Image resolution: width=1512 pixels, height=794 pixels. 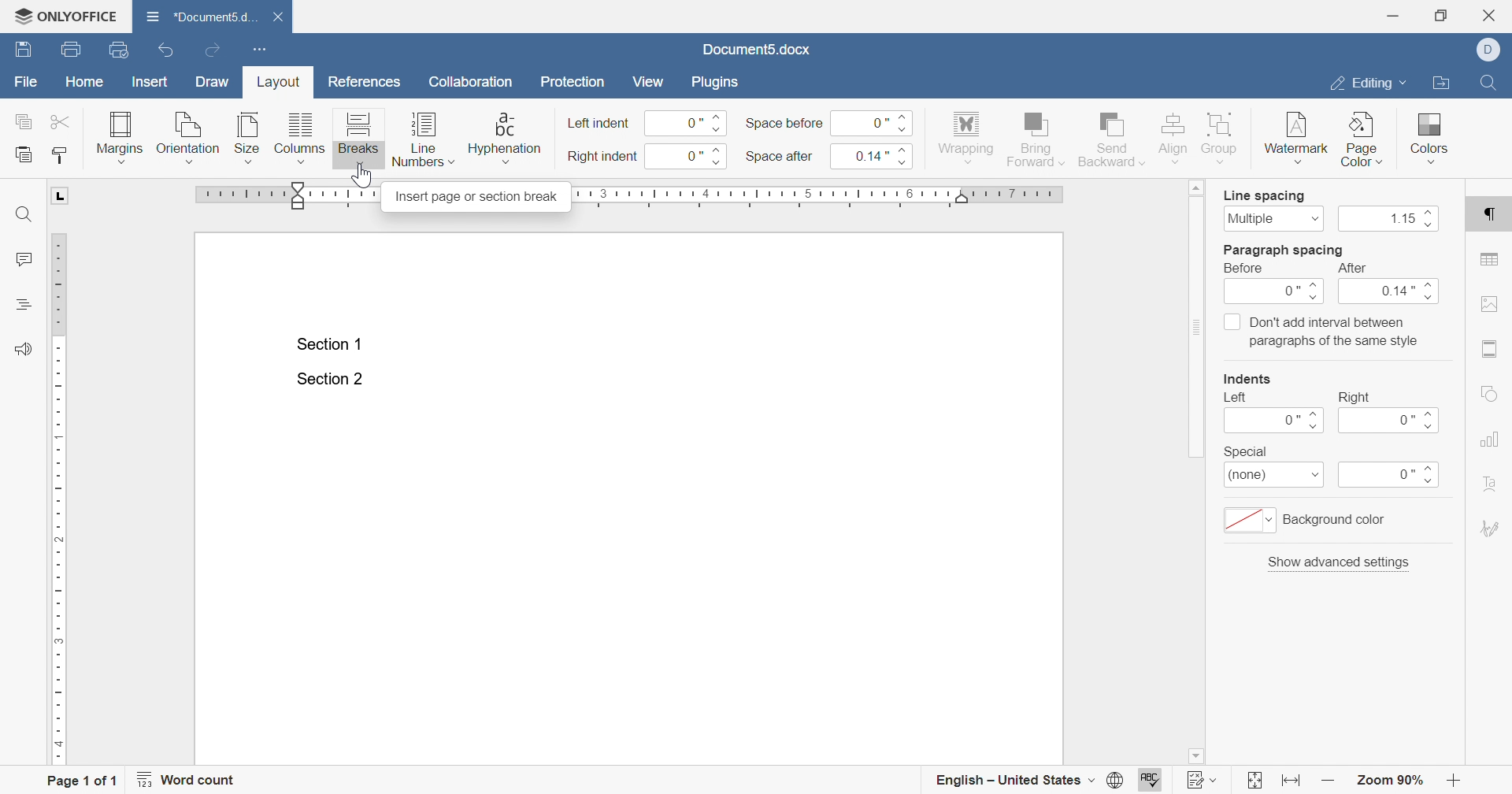 I want to click on hyphenation, so click(x=504, y=136).